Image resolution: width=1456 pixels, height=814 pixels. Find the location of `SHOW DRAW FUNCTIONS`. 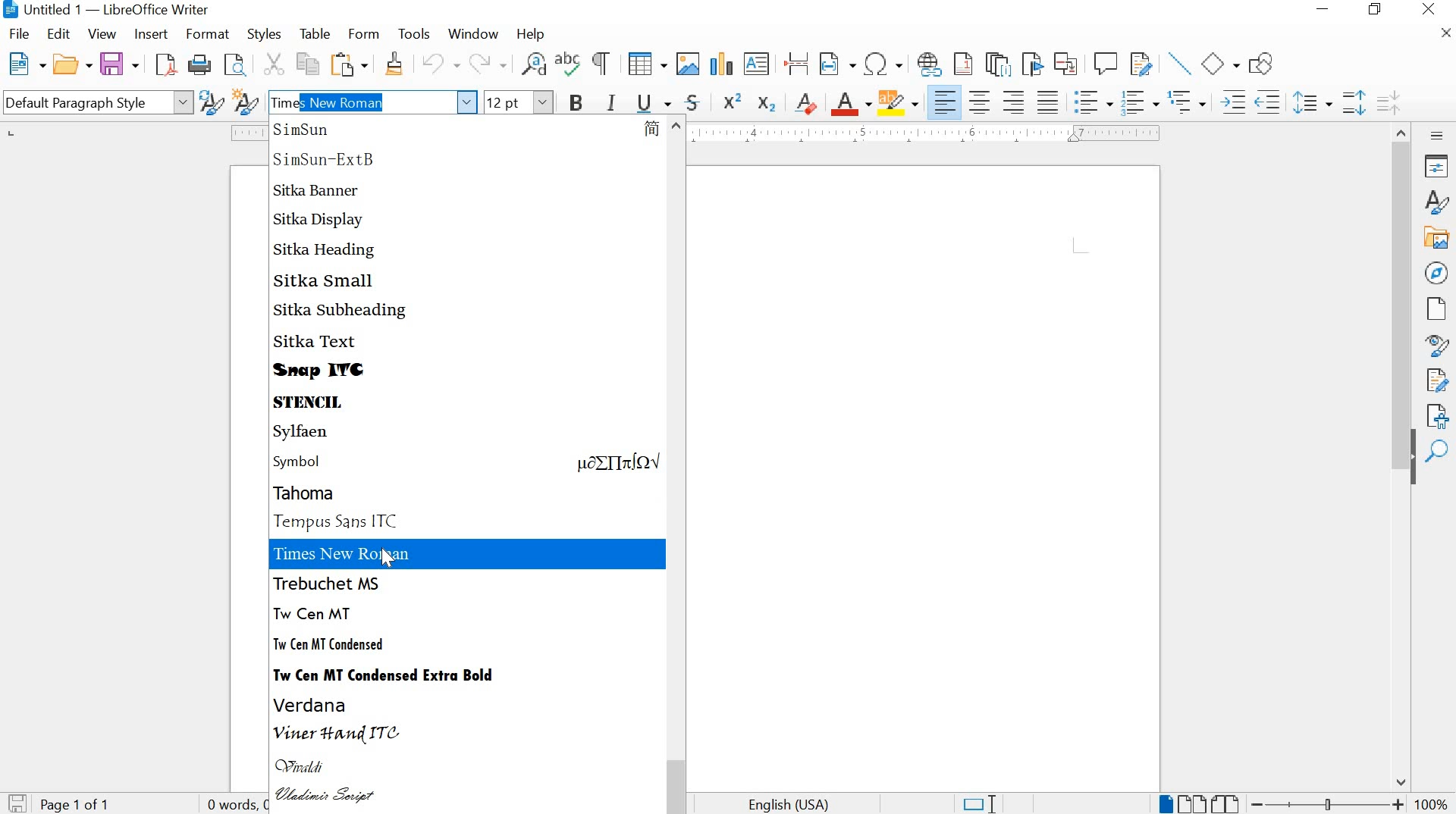

SHOW DRAW FUNCTIONS is located at coordinates (1264, 61).